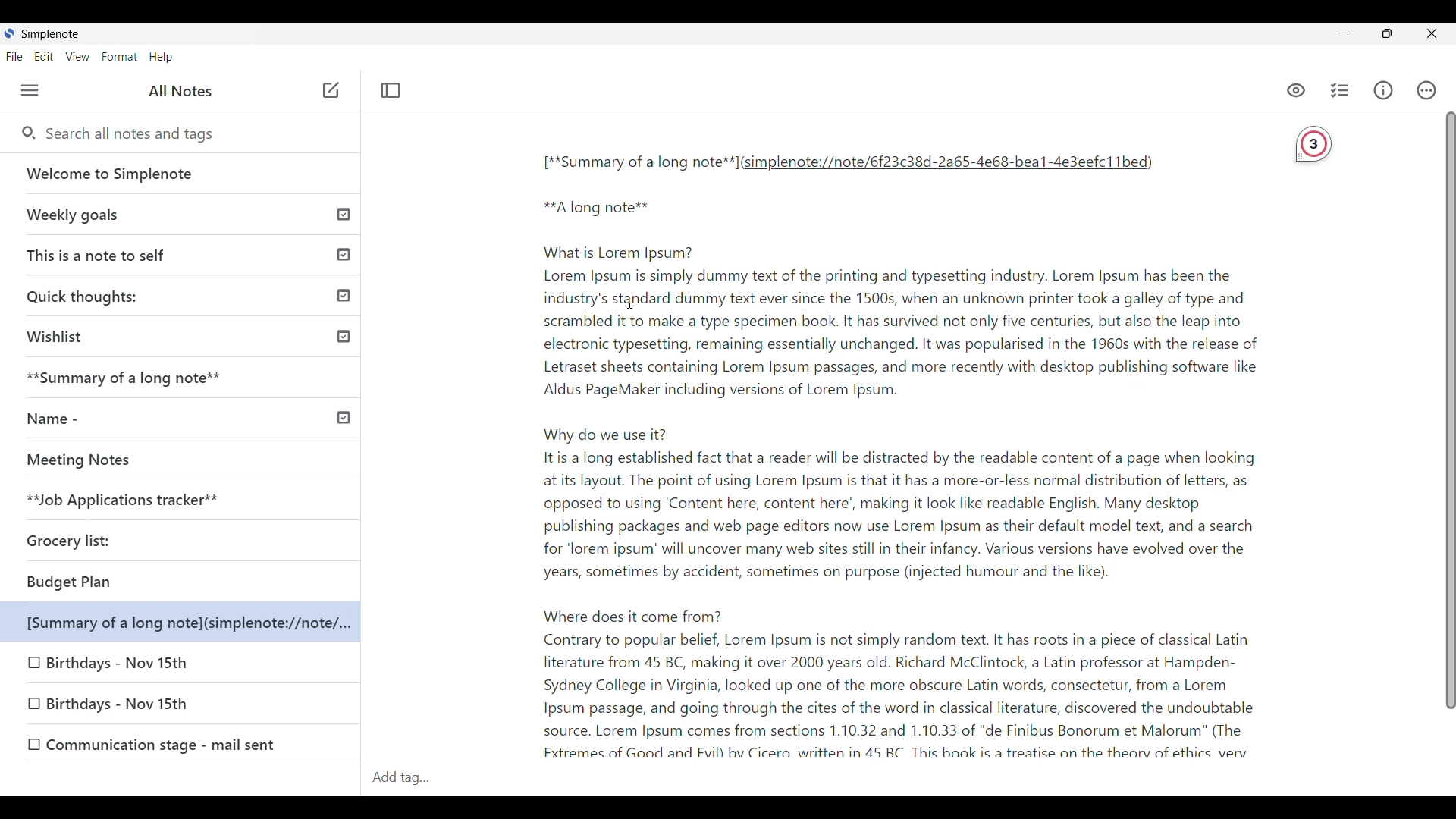 Image resolution: width=1456 pixels, height=819 pixels. Describe the element at coordinates (1341, 90) in the screenshot. I see `Insert checklist` at that location.